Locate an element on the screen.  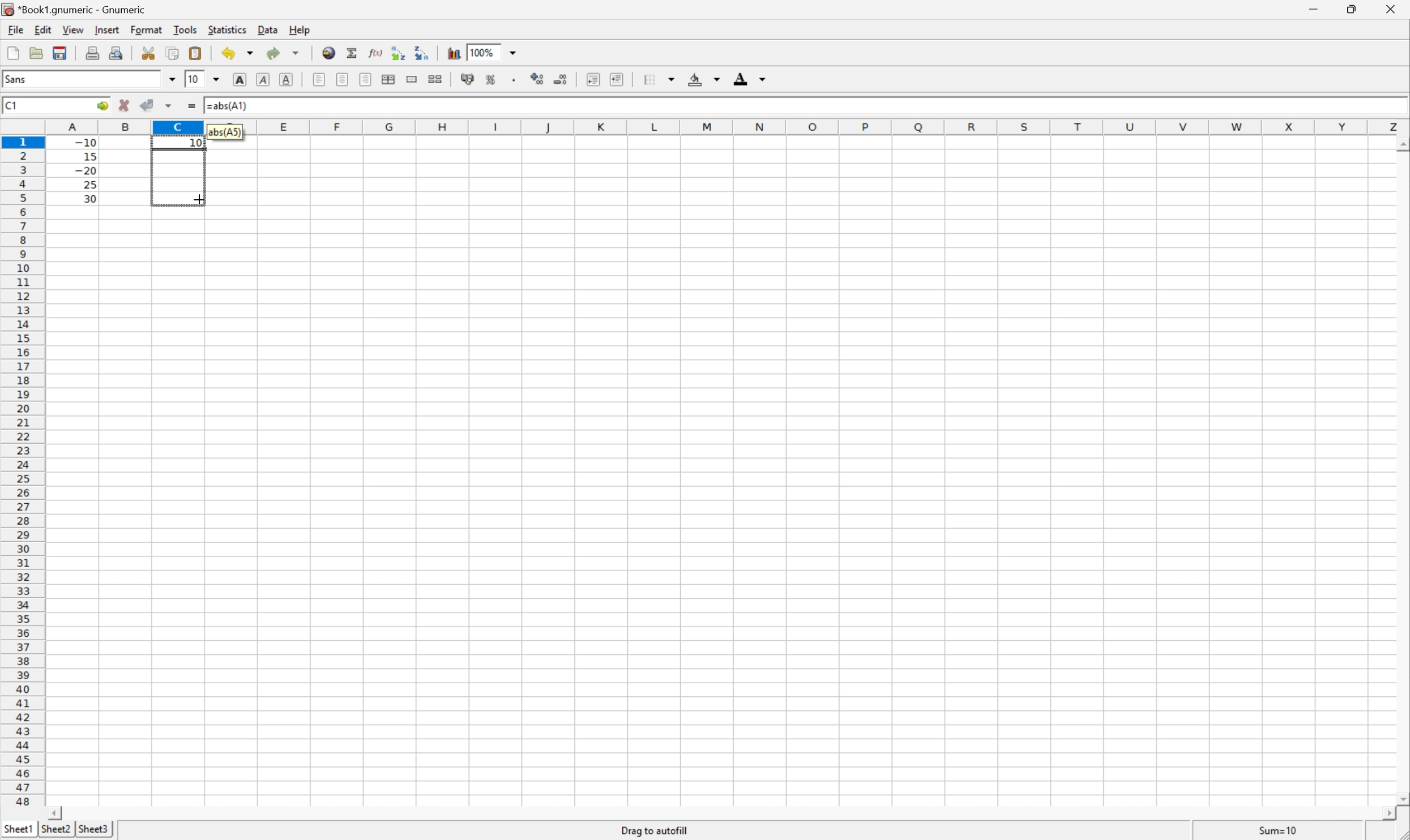
25 is located at coordinates (89, 185).